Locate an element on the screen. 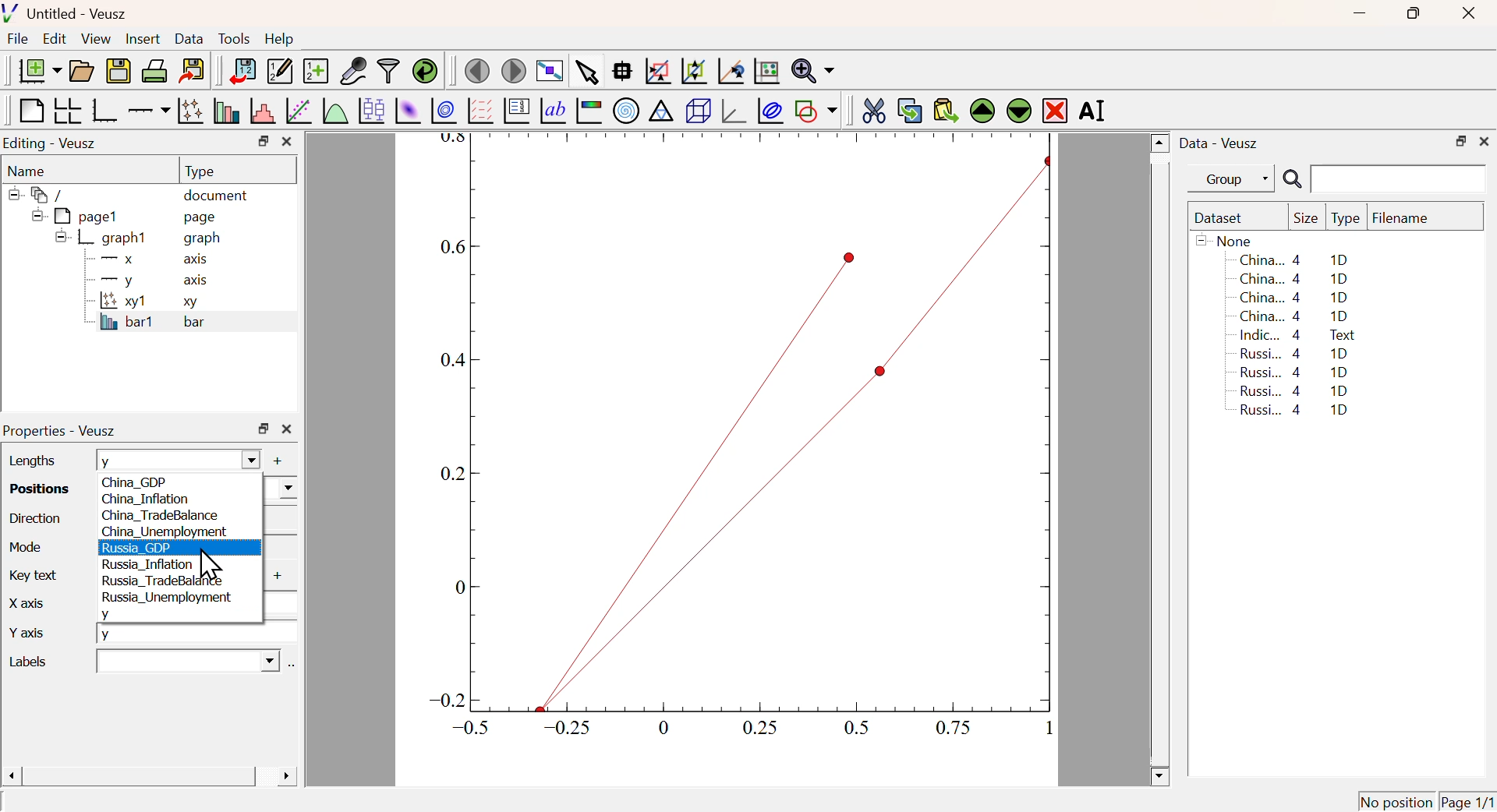 The height and width of the screenshot is (812, 1497). pagel is located at coordinates (71, 217).